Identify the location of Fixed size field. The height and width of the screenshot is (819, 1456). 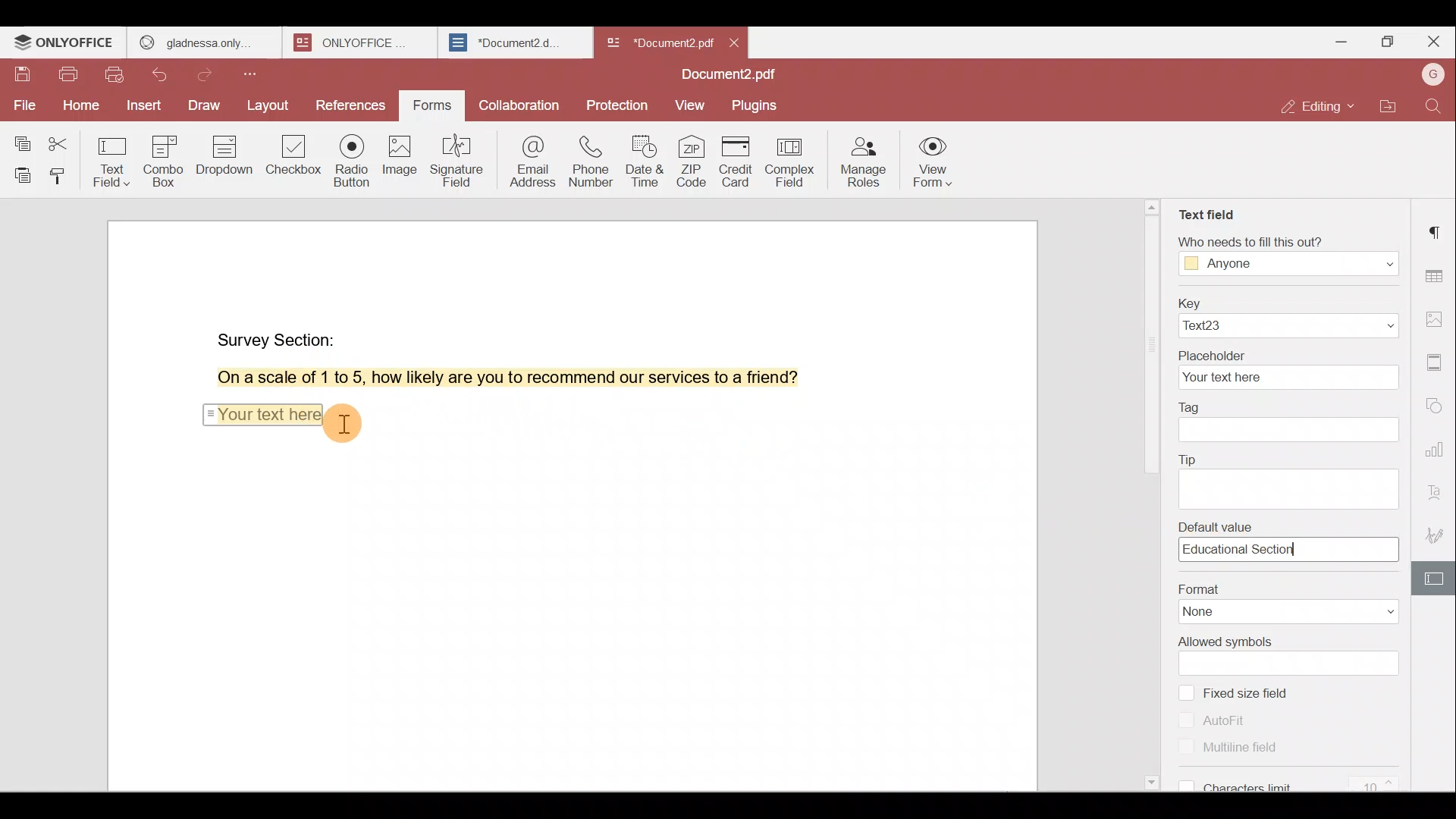
(1260, 696).